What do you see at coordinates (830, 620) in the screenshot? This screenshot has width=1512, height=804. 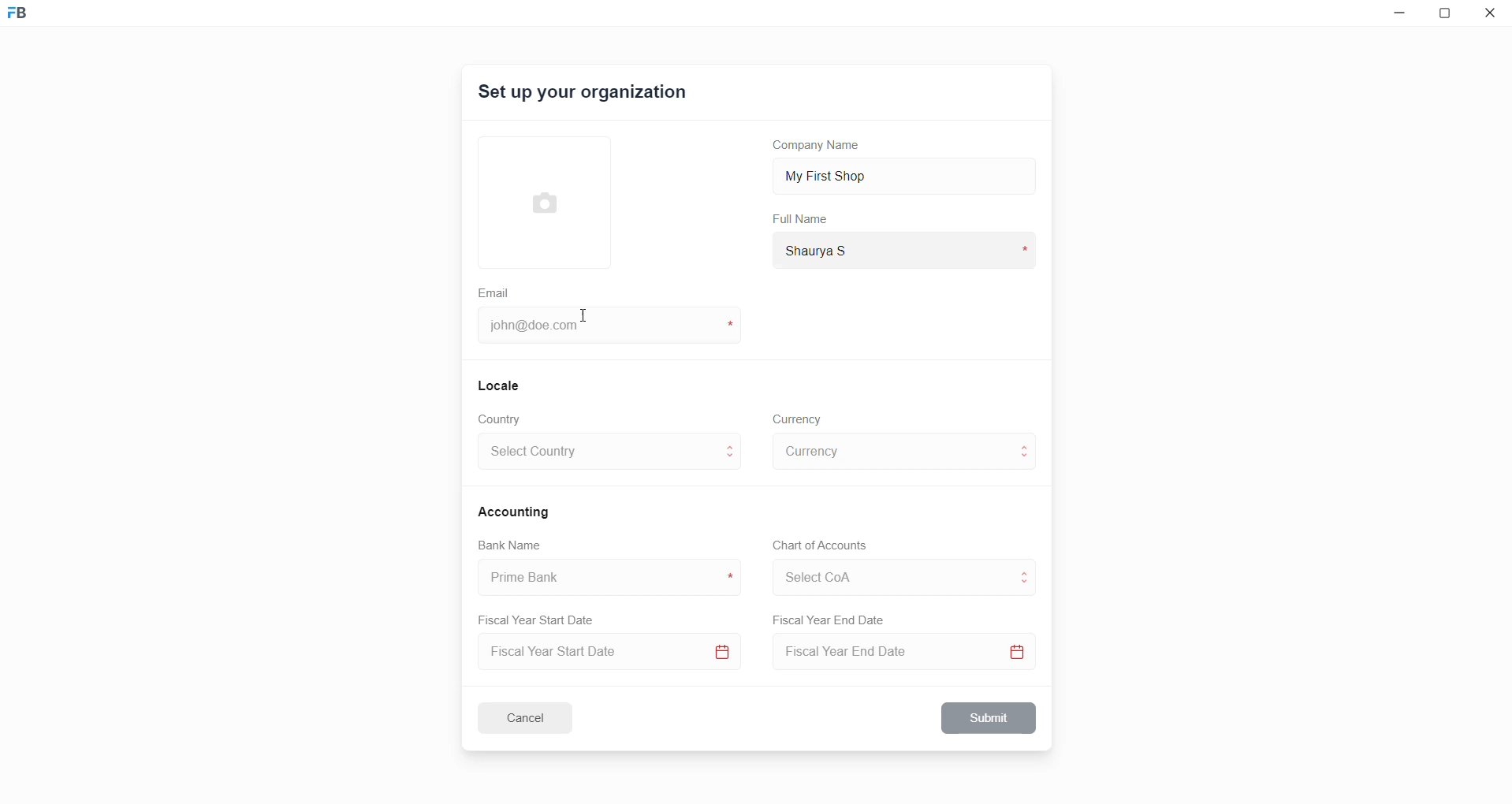 I see `Fiscal Year End Date` at bounding box center [830, 620].